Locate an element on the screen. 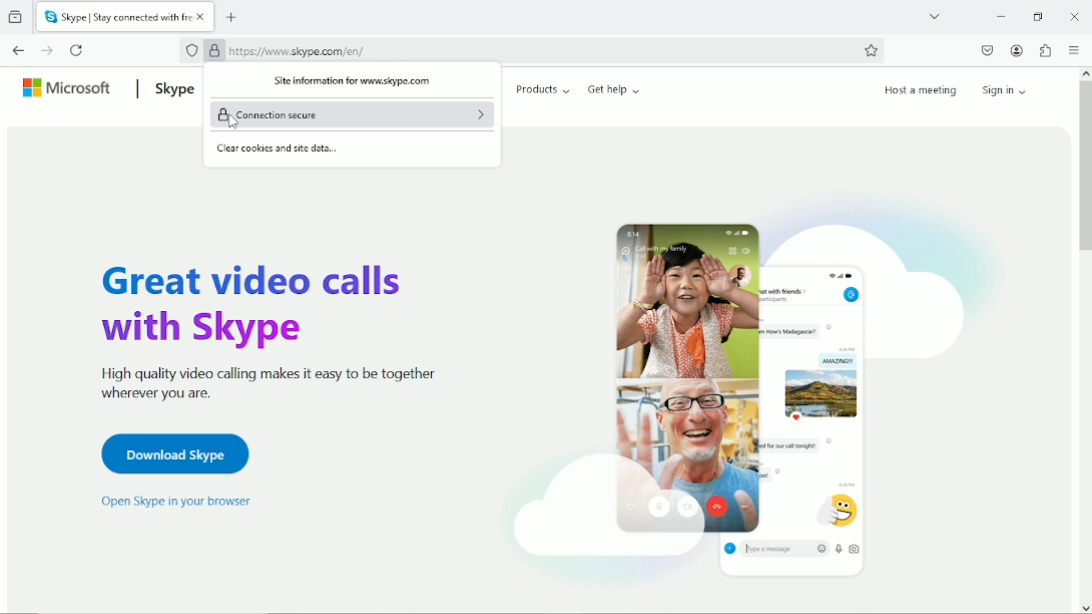 The image size is (1092, 614). Host a meeting is located at coordinates (919, 90).